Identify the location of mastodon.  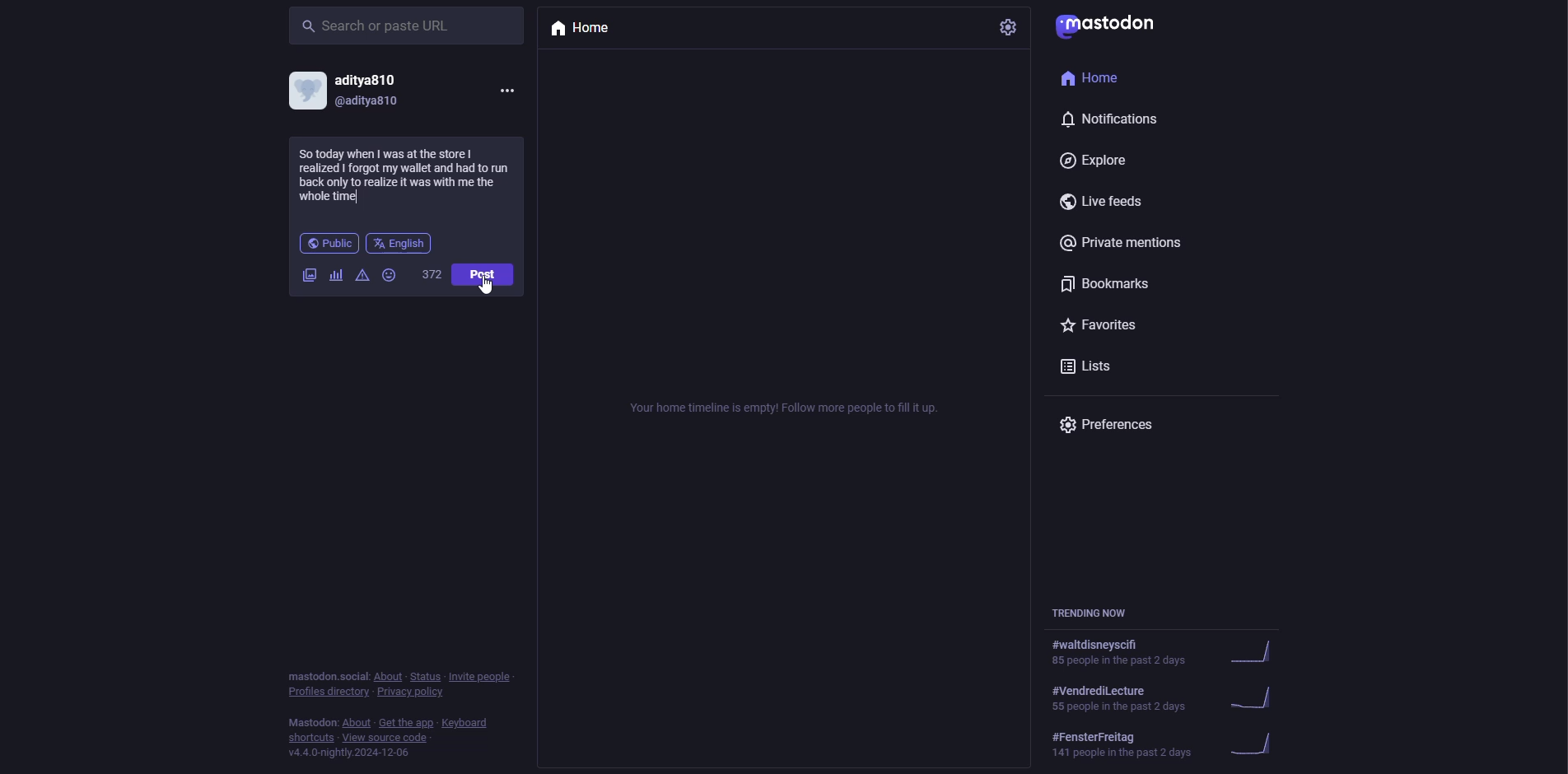
(1116, 28).